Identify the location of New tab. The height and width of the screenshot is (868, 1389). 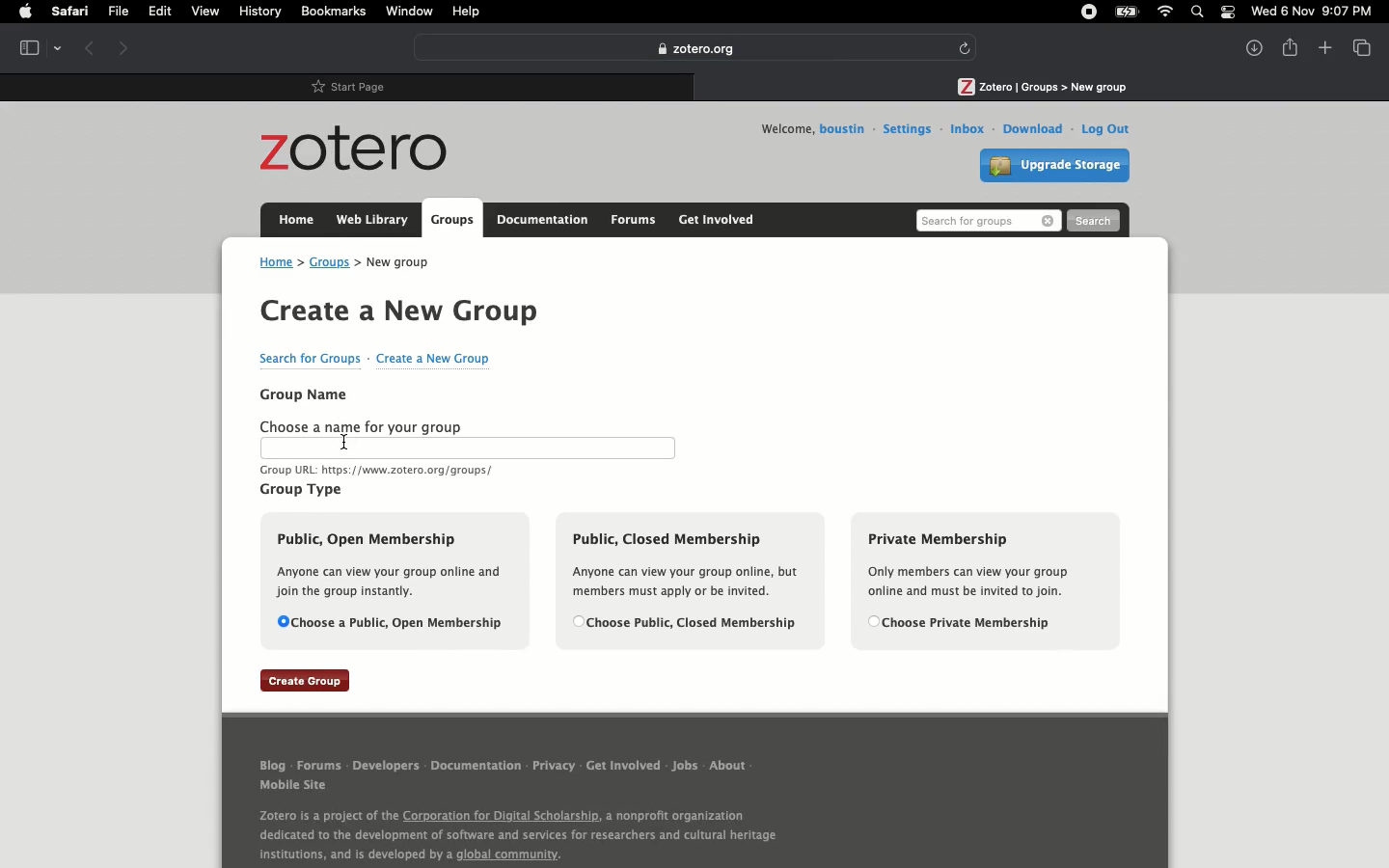
(1323, 48).